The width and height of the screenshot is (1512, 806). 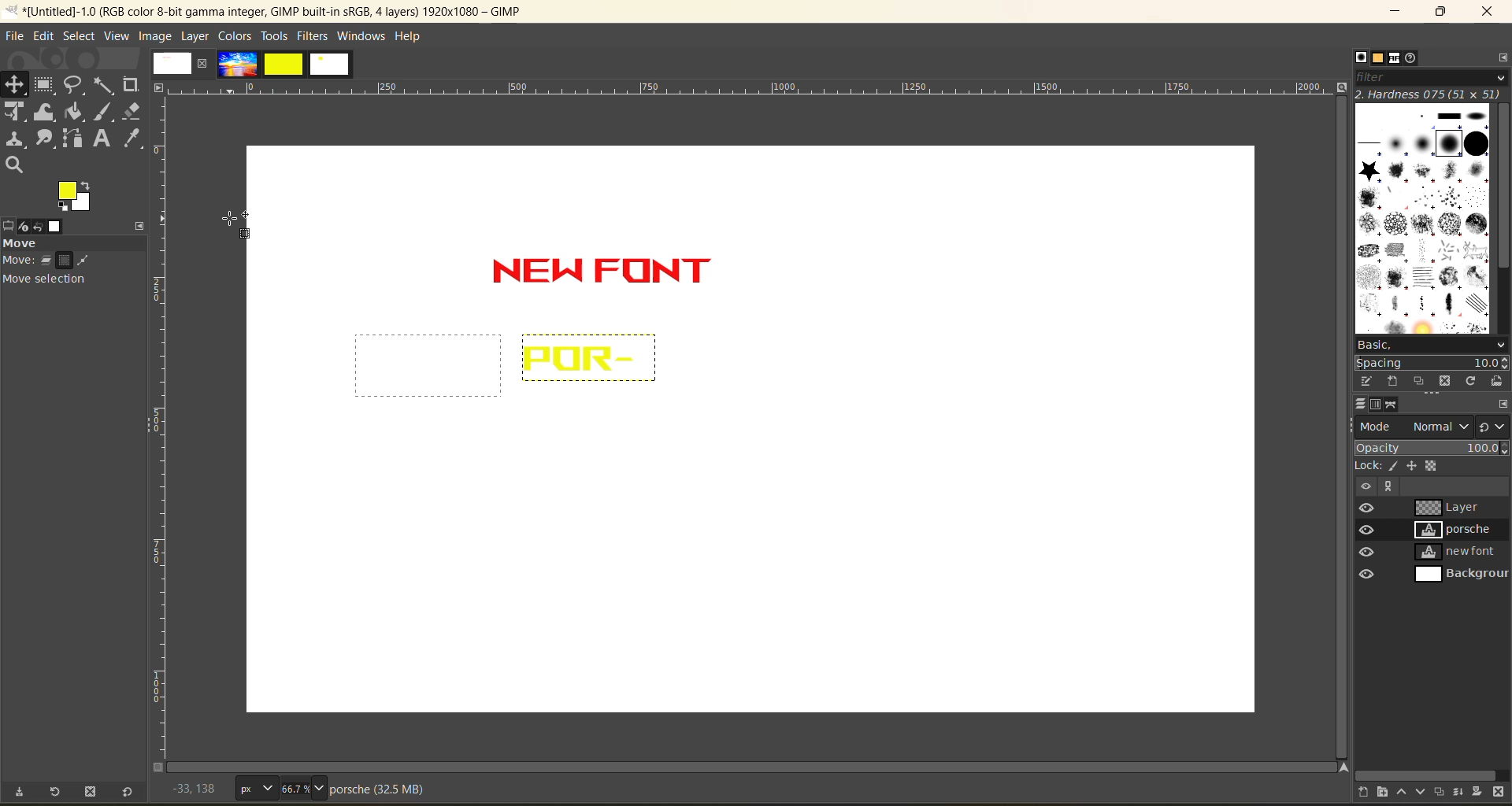 I want to click on duplicate this brush, so click(x=1410, y=380).